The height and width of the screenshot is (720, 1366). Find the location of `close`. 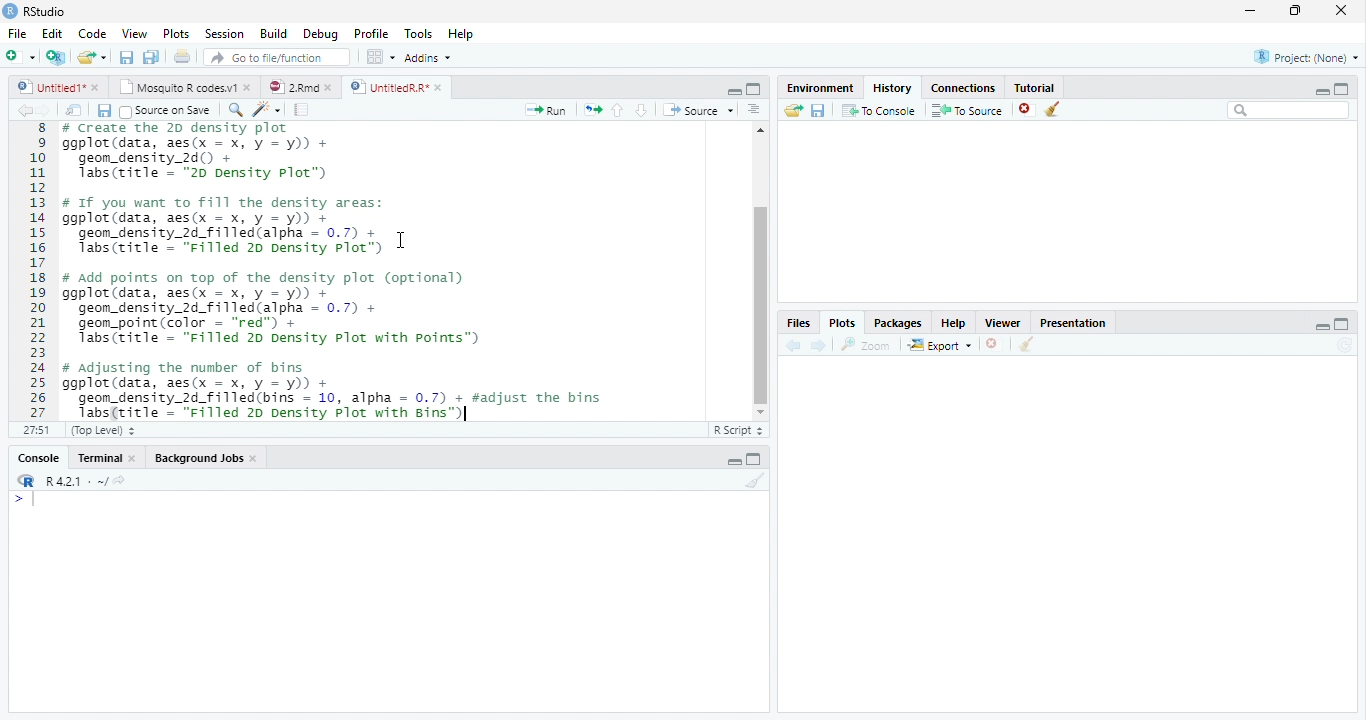

close is located at coordinates (136, 458).